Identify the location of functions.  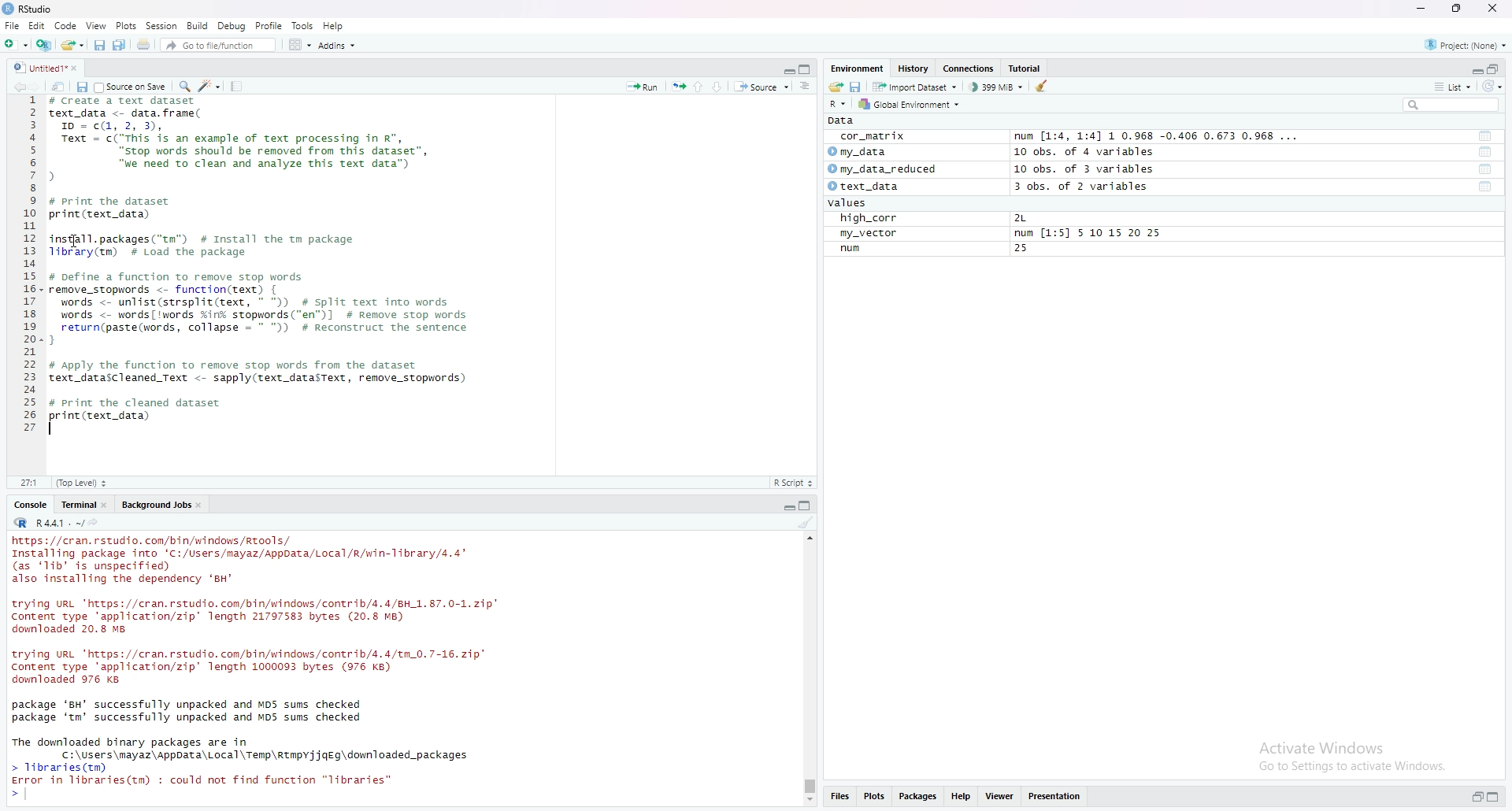
(1486, 187).